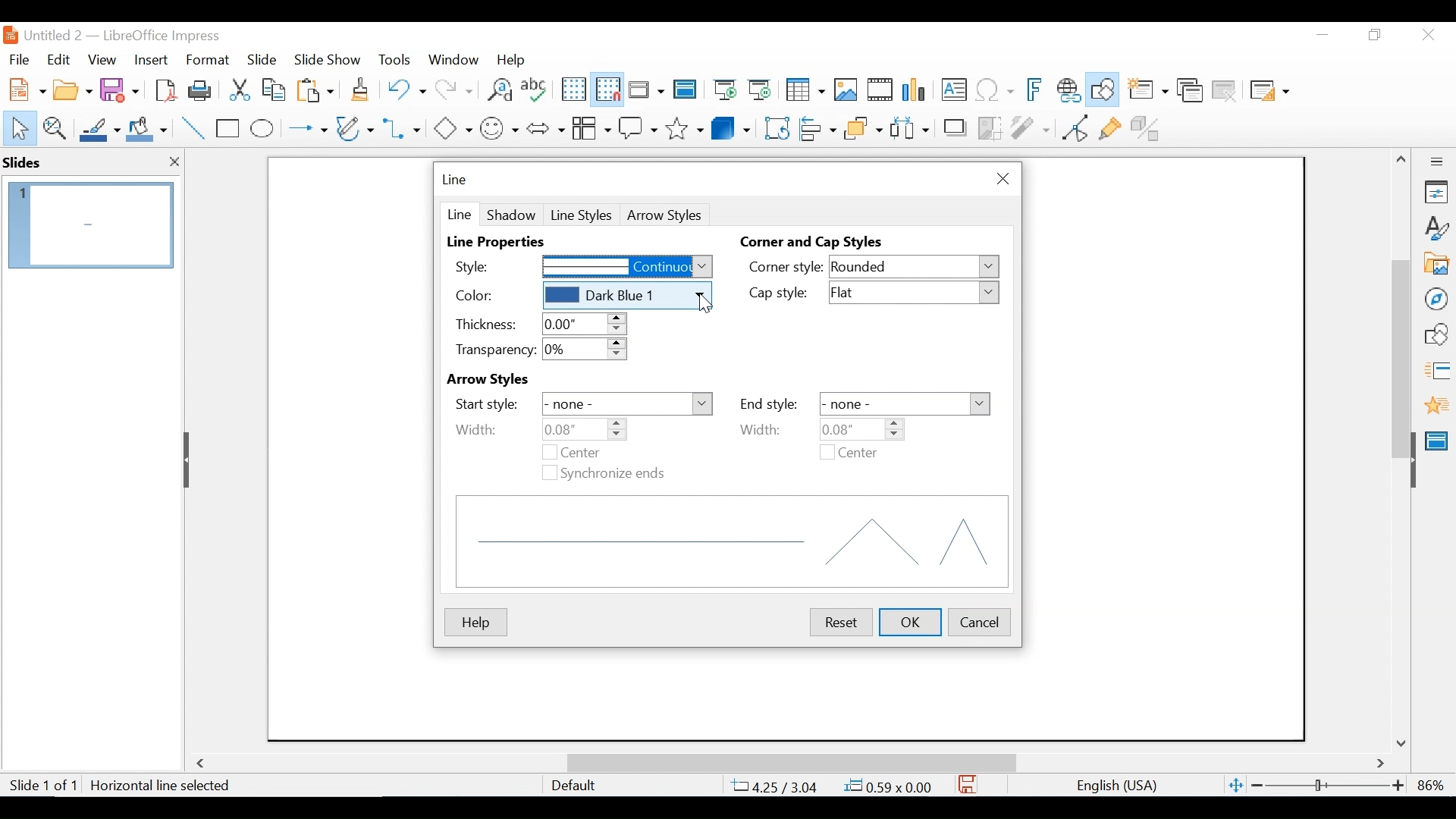 The width and height of the screenshot is (1456, 819). I want to click on Line , so click(458, 213).